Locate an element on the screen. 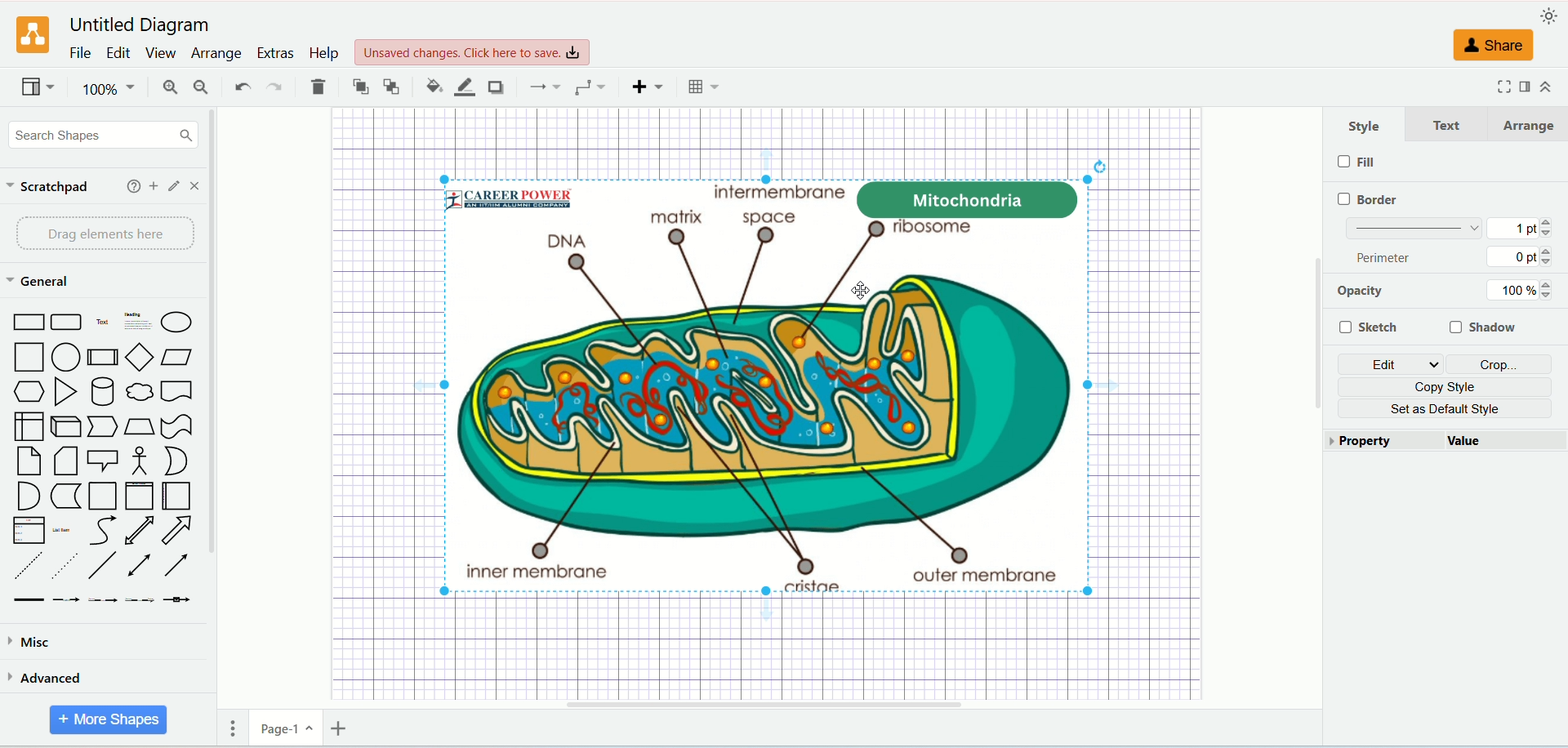 The width and height of the screenshot is (1568, 748). Horizontal Scroll Bar is located at coordinates (774, 702).